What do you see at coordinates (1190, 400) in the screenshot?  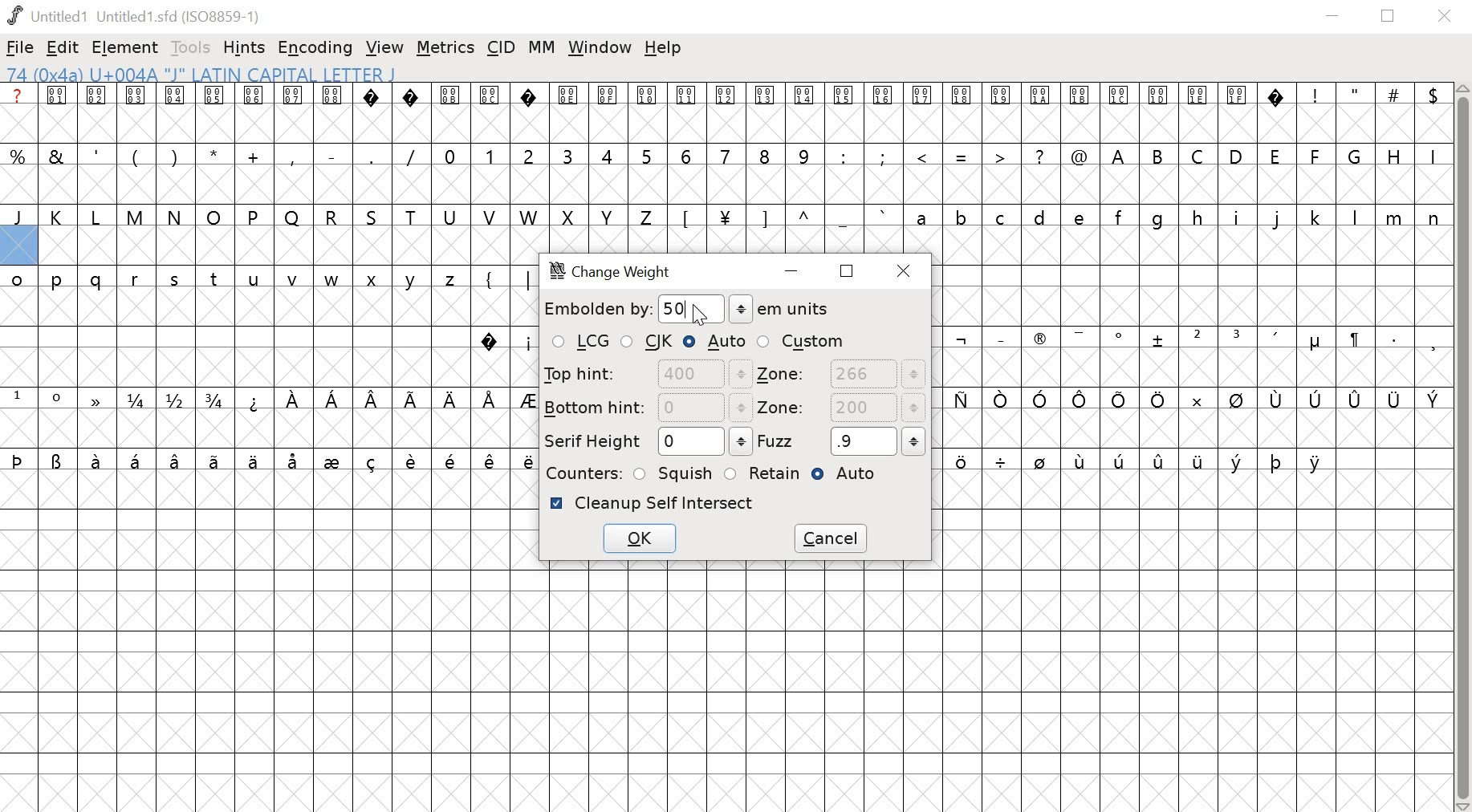 I see `symbols` at bounding box center [1190, 400].